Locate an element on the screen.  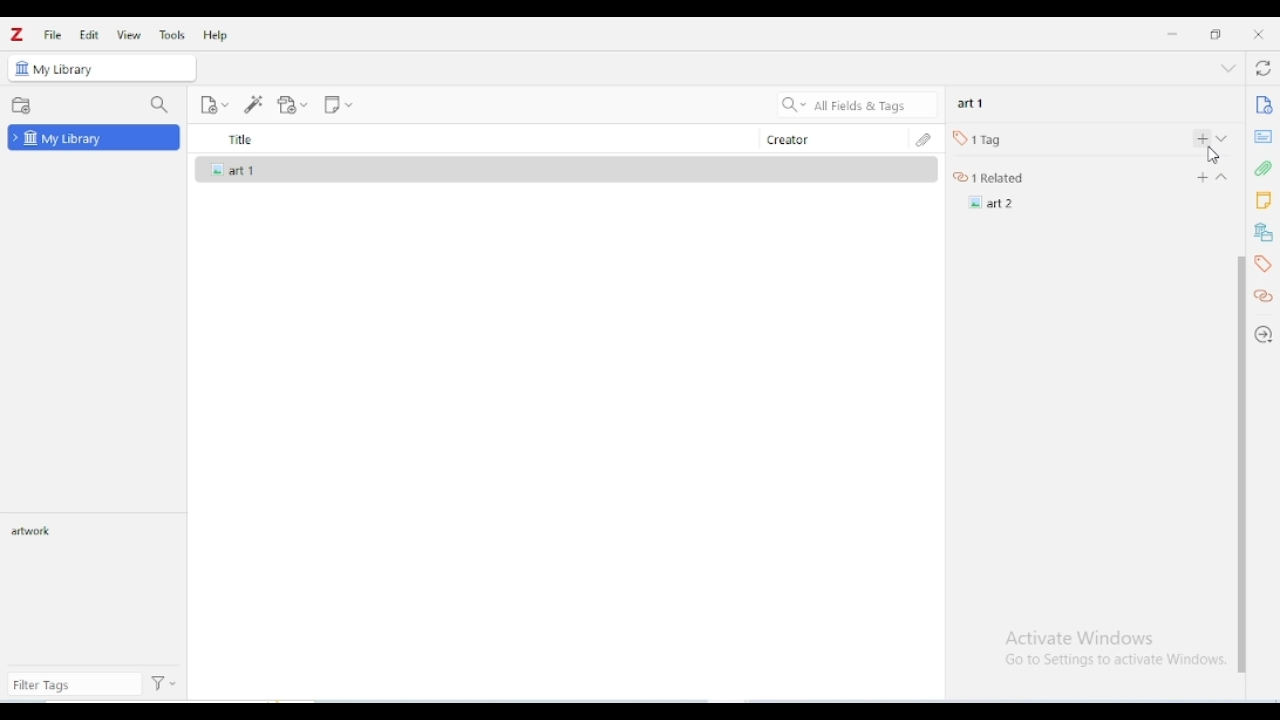
close is located at coordinates (1258, 35).